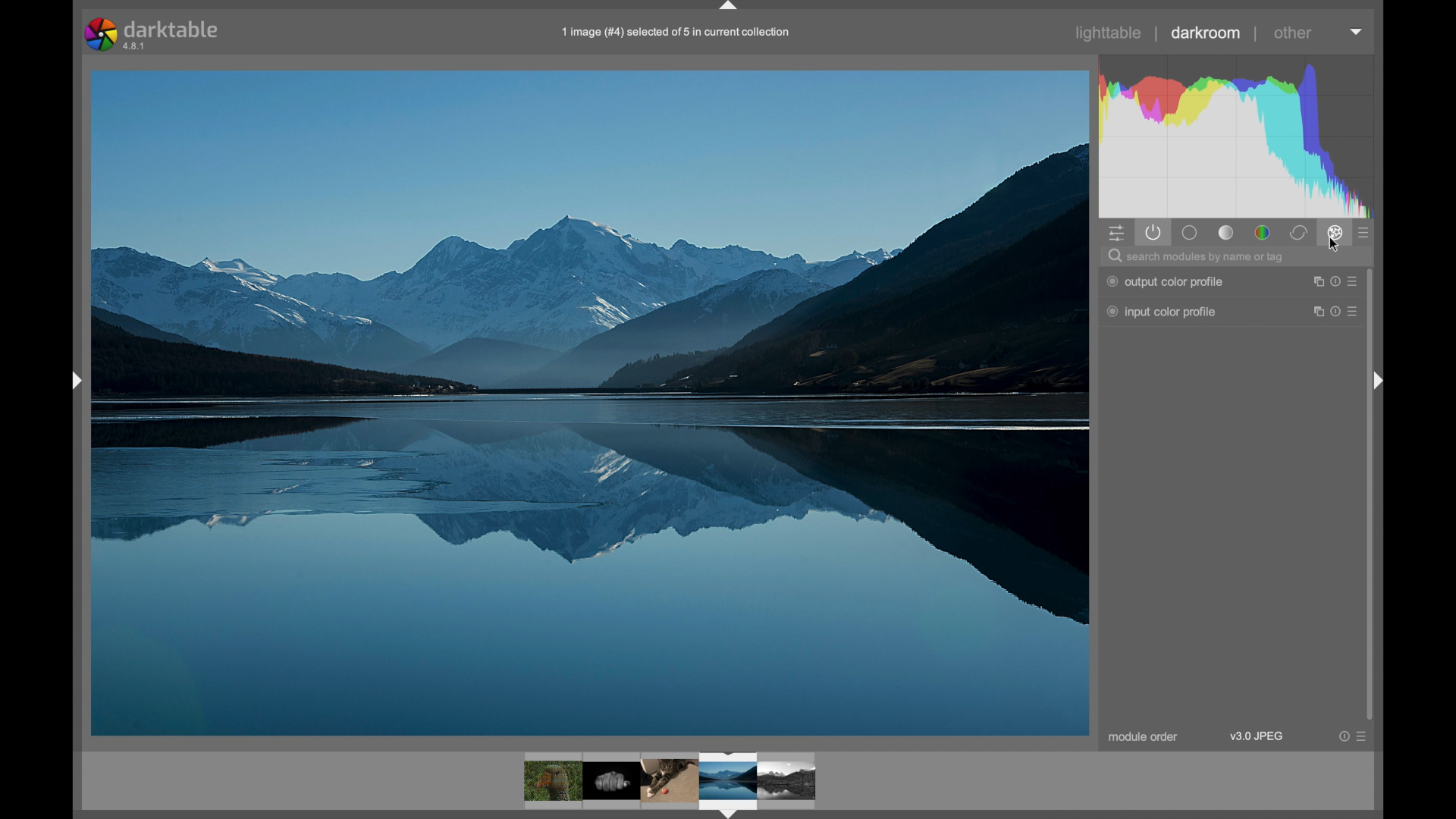 Image resolution: width=1456 pixels, height=819 pixels. What do you see at coordinates (1162, 312) in the screenshot?
I see `input color profile` at bounding box center [1162, 312].